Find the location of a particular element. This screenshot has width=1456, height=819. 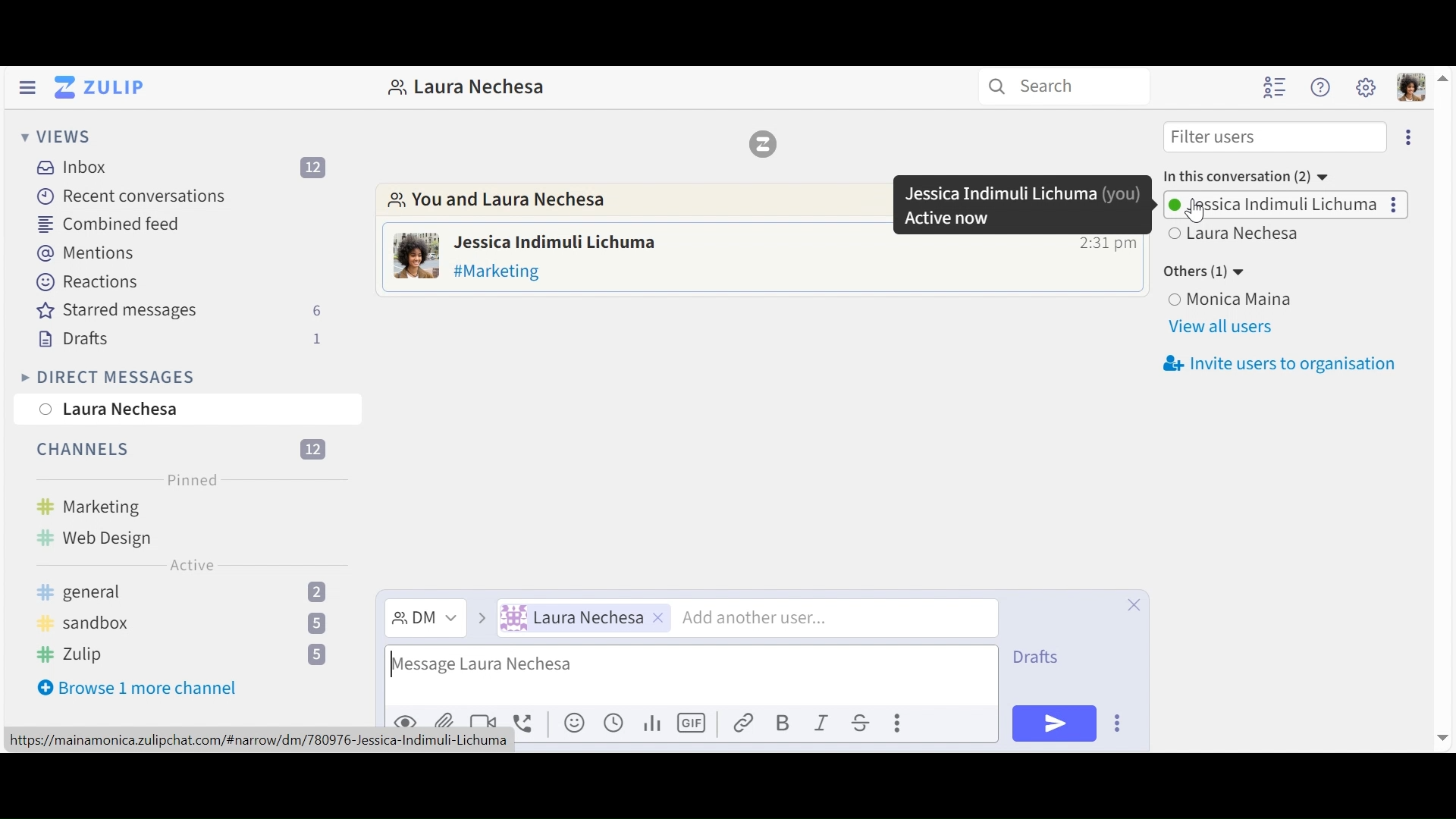

sandbox is located at coordinates (187, 622).